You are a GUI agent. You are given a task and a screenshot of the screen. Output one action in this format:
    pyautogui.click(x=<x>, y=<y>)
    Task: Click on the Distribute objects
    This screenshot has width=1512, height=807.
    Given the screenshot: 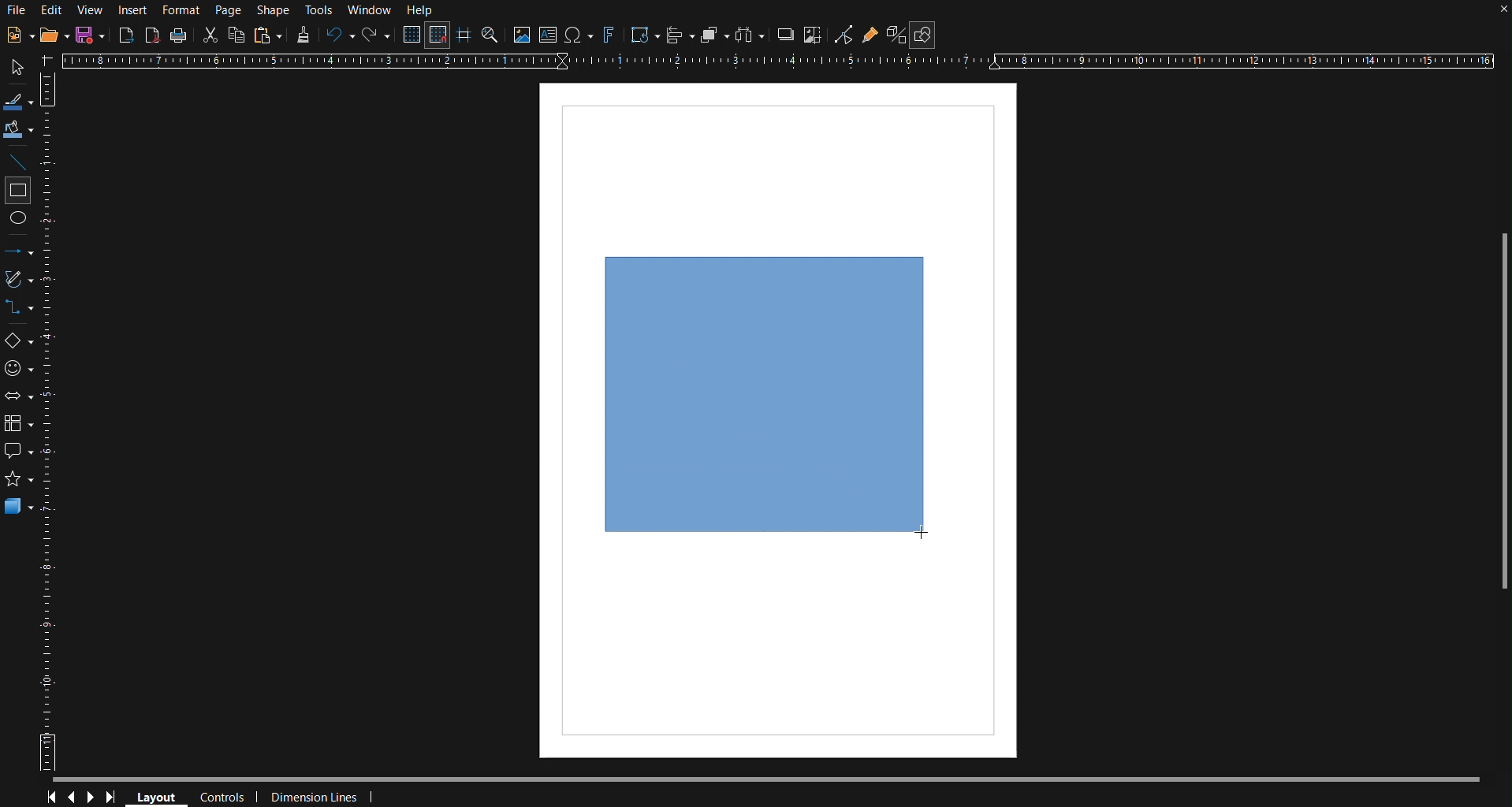 What is the action you would take?
    pyautogui.click(x=750, y=35)
    